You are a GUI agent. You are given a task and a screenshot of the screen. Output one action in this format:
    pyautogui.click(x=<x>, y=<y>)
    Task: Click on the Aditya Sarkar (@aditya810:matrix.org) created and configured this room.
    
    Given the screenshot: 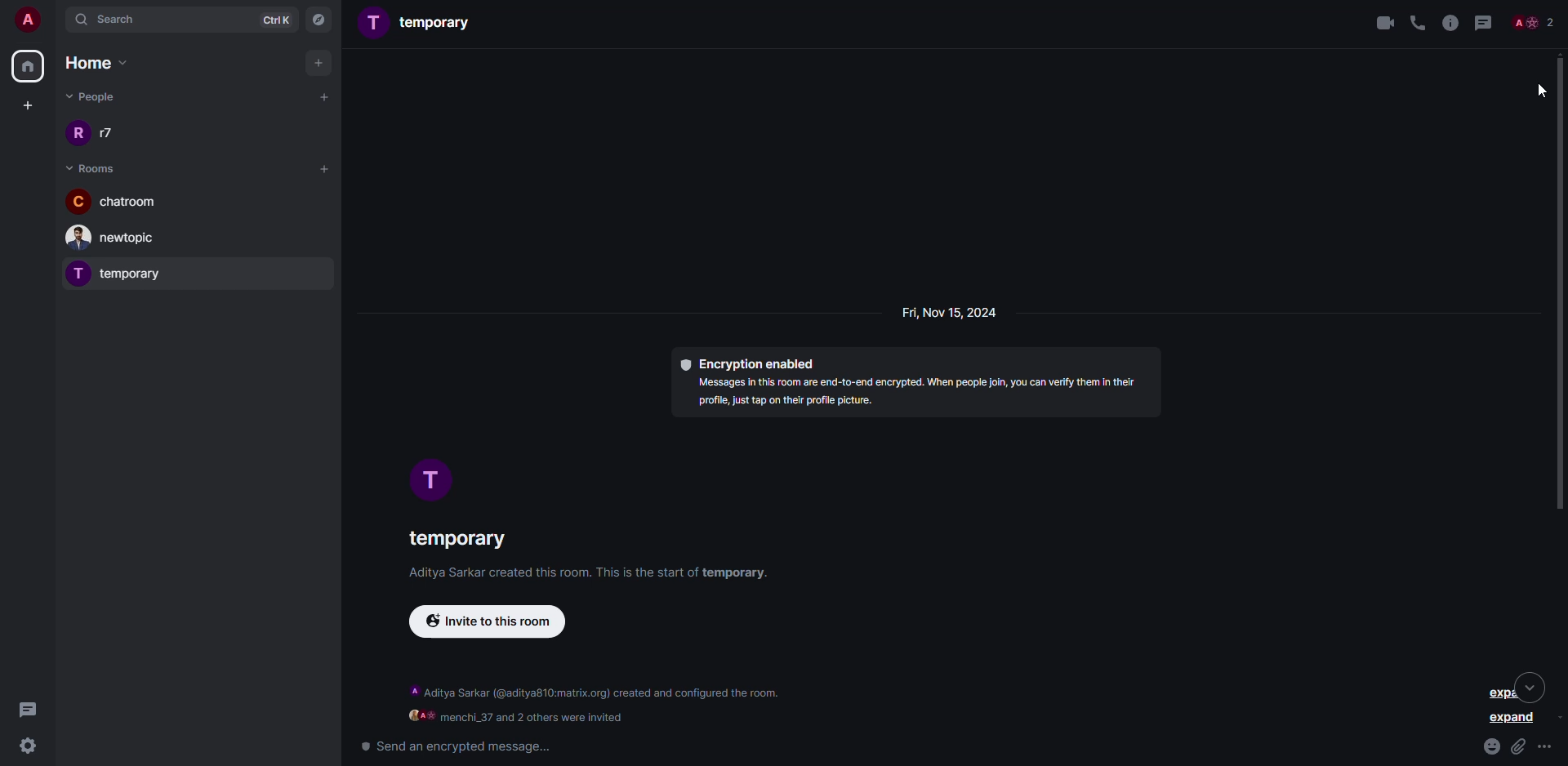 What is the action you would take?
    pyautogui.click(x=597, y=693)
    